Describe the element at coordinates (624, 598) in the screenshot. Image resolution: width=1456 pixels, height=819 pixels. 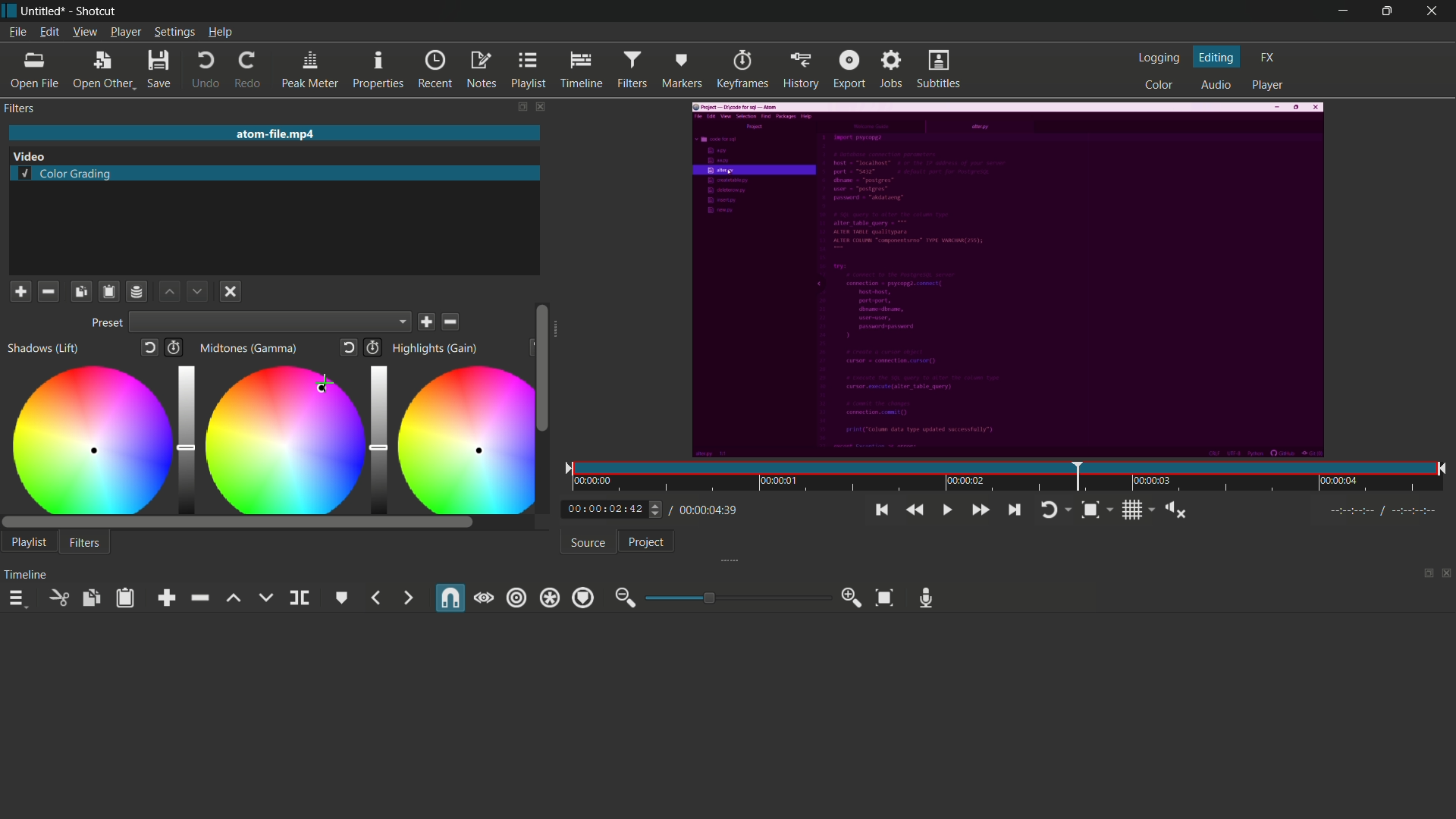
I see `zoom out` at that location.